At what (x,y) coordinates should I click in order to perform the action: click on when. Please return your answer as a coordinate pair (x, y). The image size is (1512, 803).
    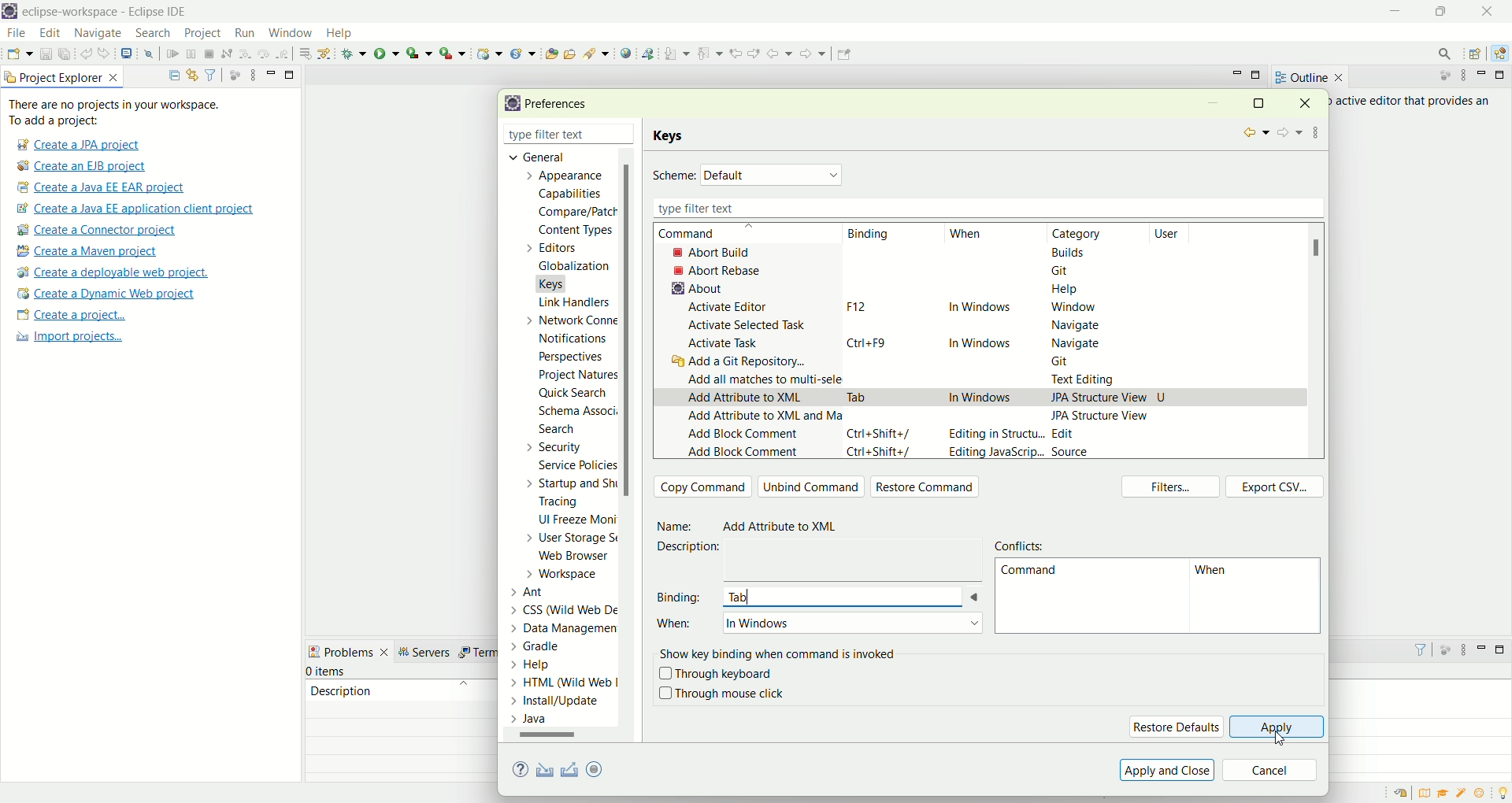
    Looking at the image, I should click on (677, 629).